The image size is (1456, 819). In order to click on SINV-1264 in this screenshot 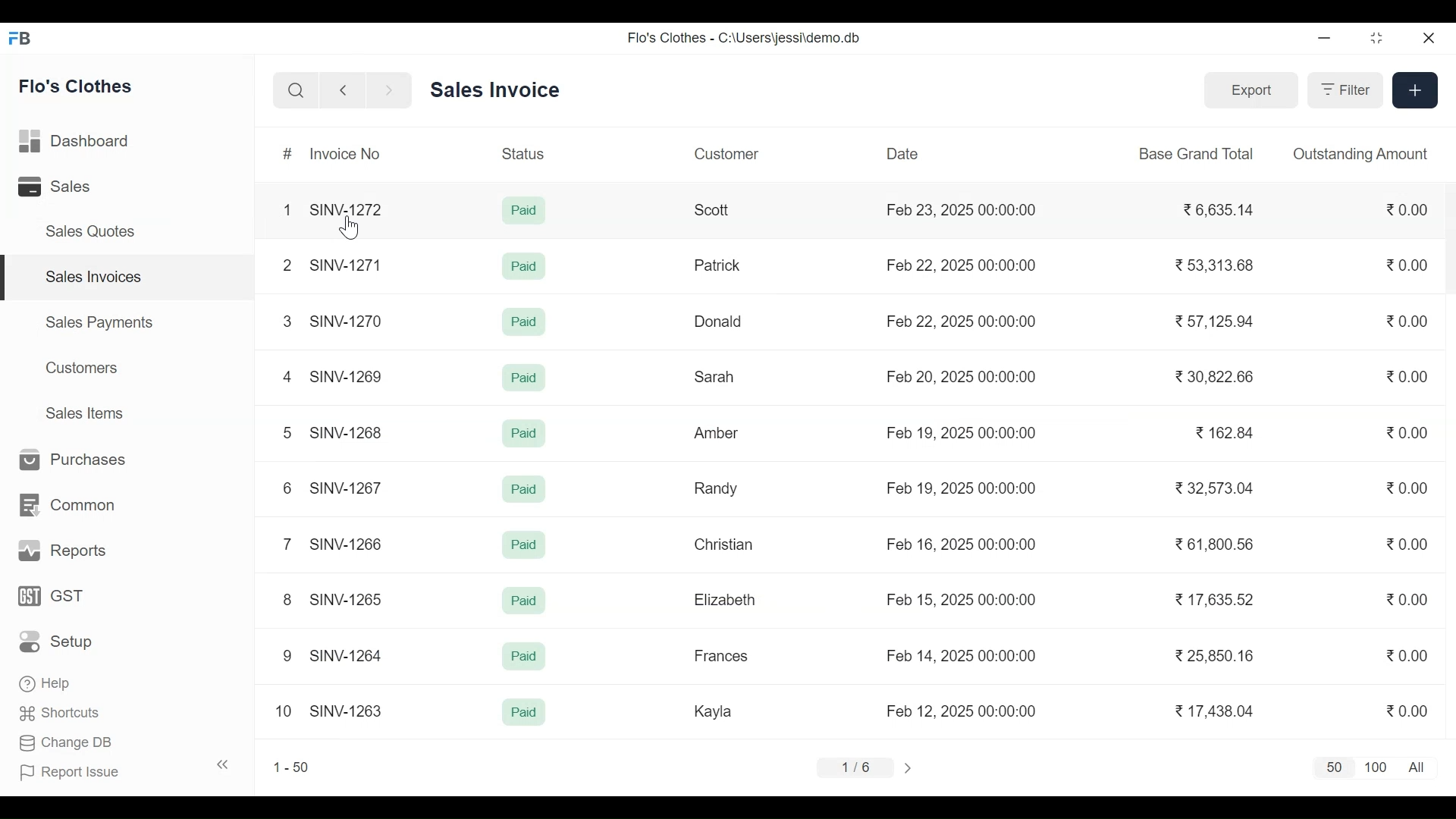, I will do `click(347, 655)`.